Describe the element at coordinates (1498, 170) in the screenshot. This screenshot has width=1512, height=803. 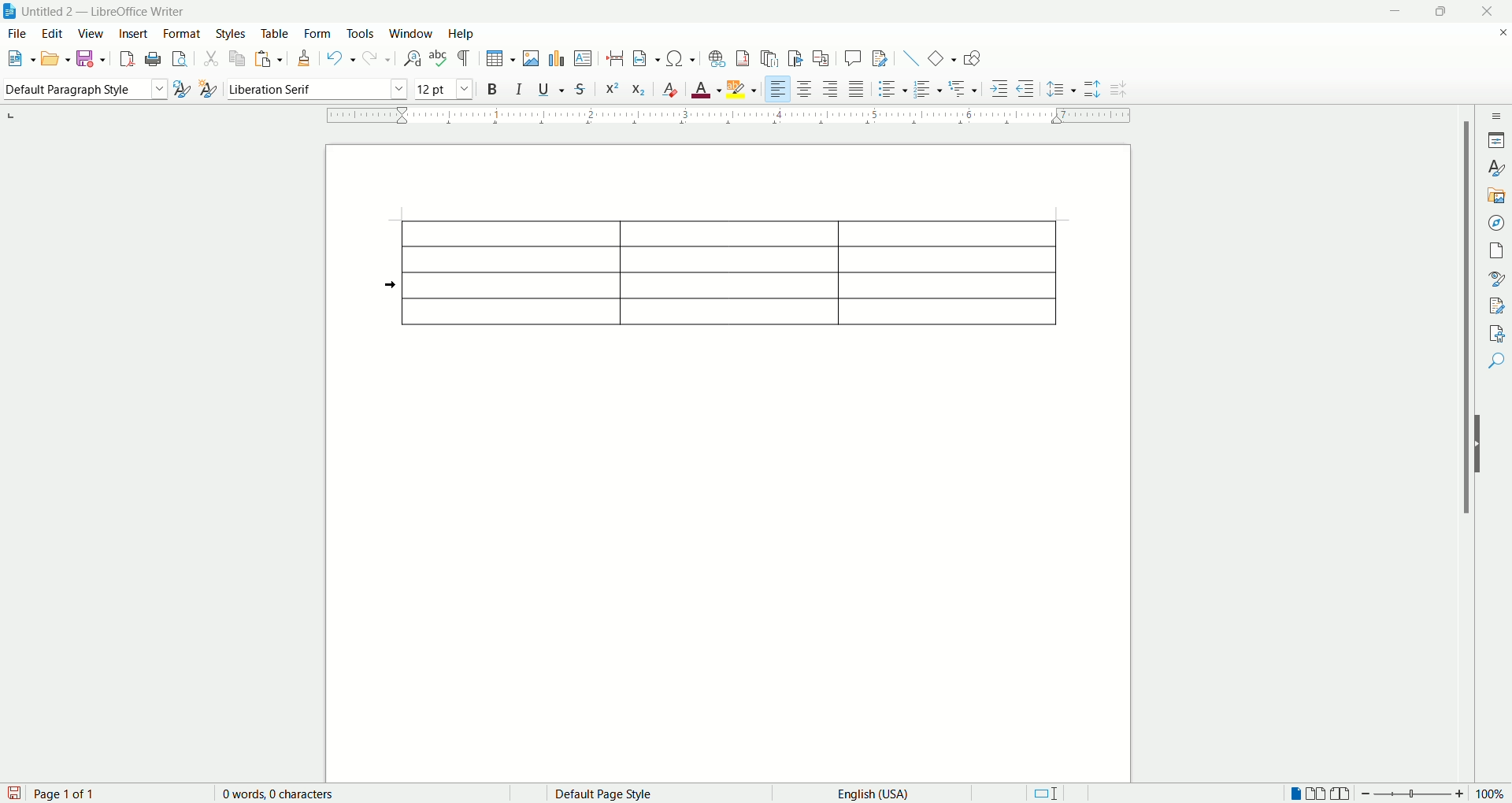
I see `style` at that location.